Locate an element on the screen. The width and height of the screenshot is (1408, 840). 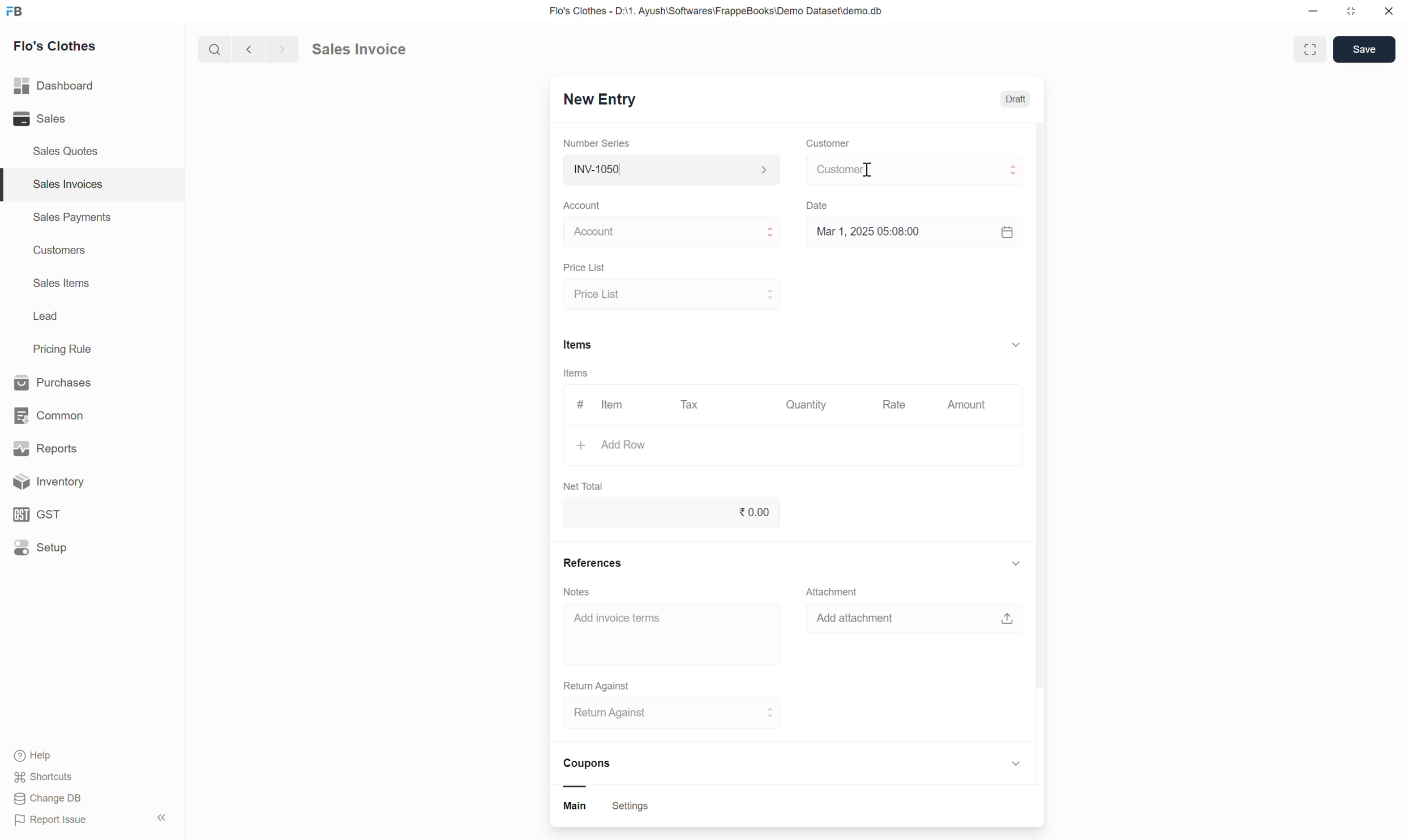
Purchases  is located at coordinates (71, 381).